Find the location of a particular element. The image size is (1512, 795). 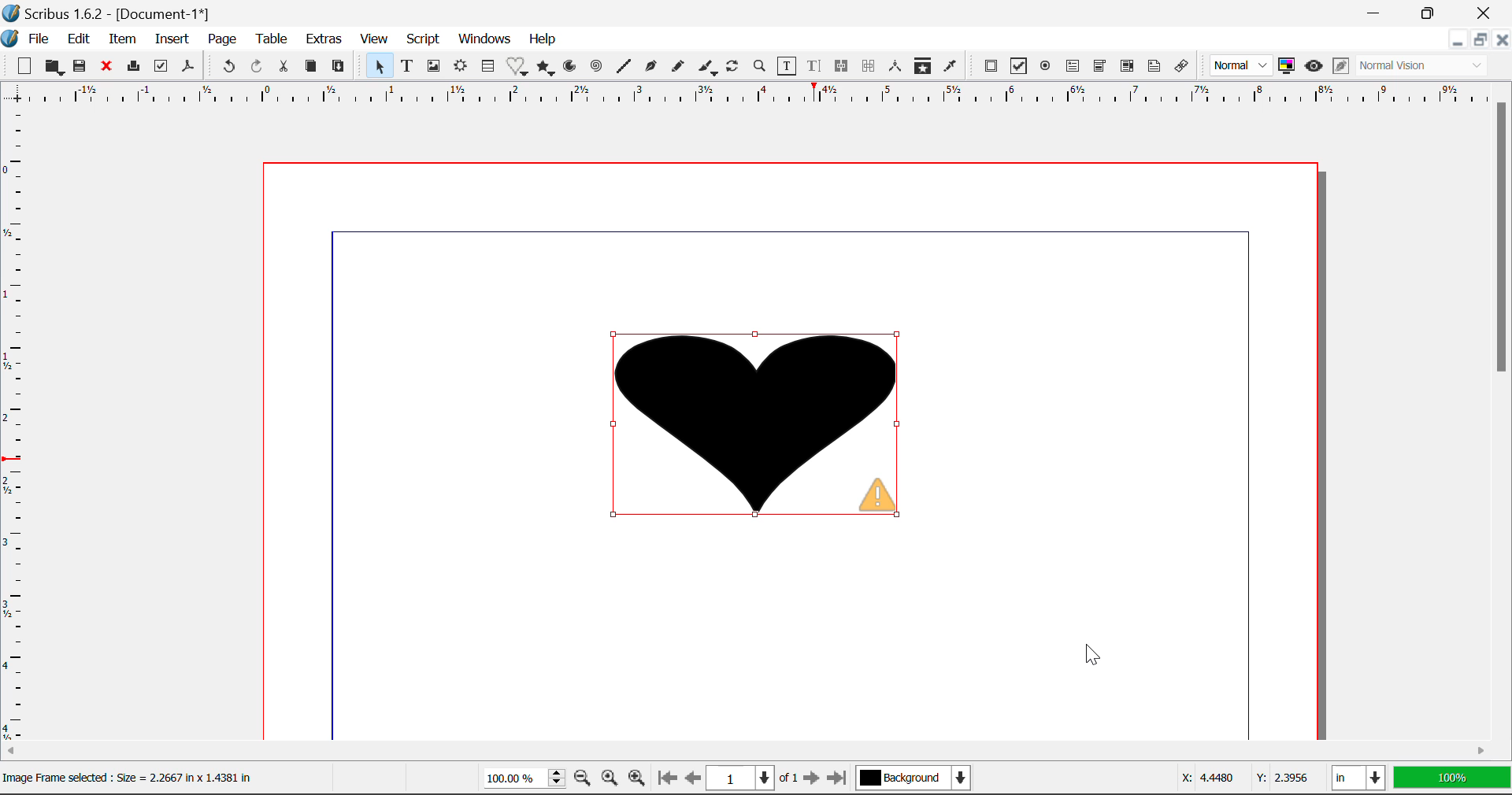

Insert Cells is located at coordinates (487, 68).